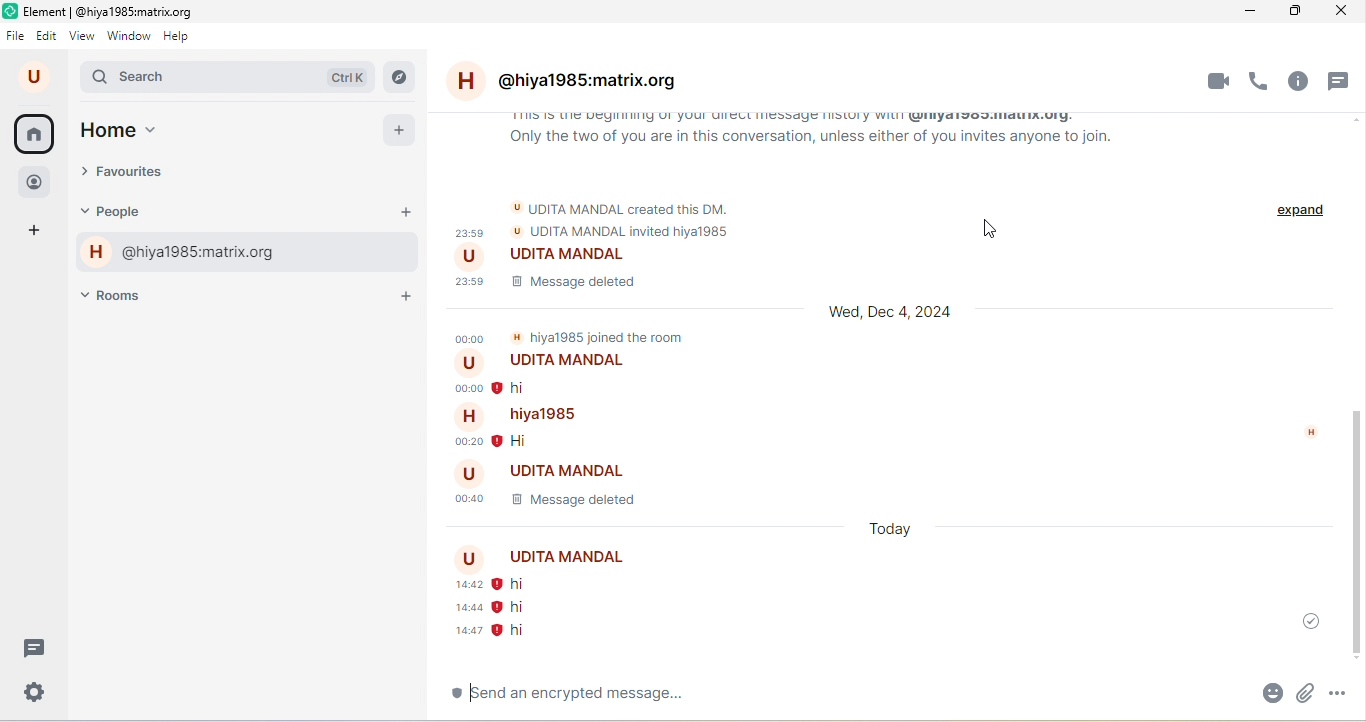 The width and height of the screenshot is (1366, 722). What do you see at coordinates (140, 174) in the screenshot?
I see `favourites` at bounding box center [140, 174].